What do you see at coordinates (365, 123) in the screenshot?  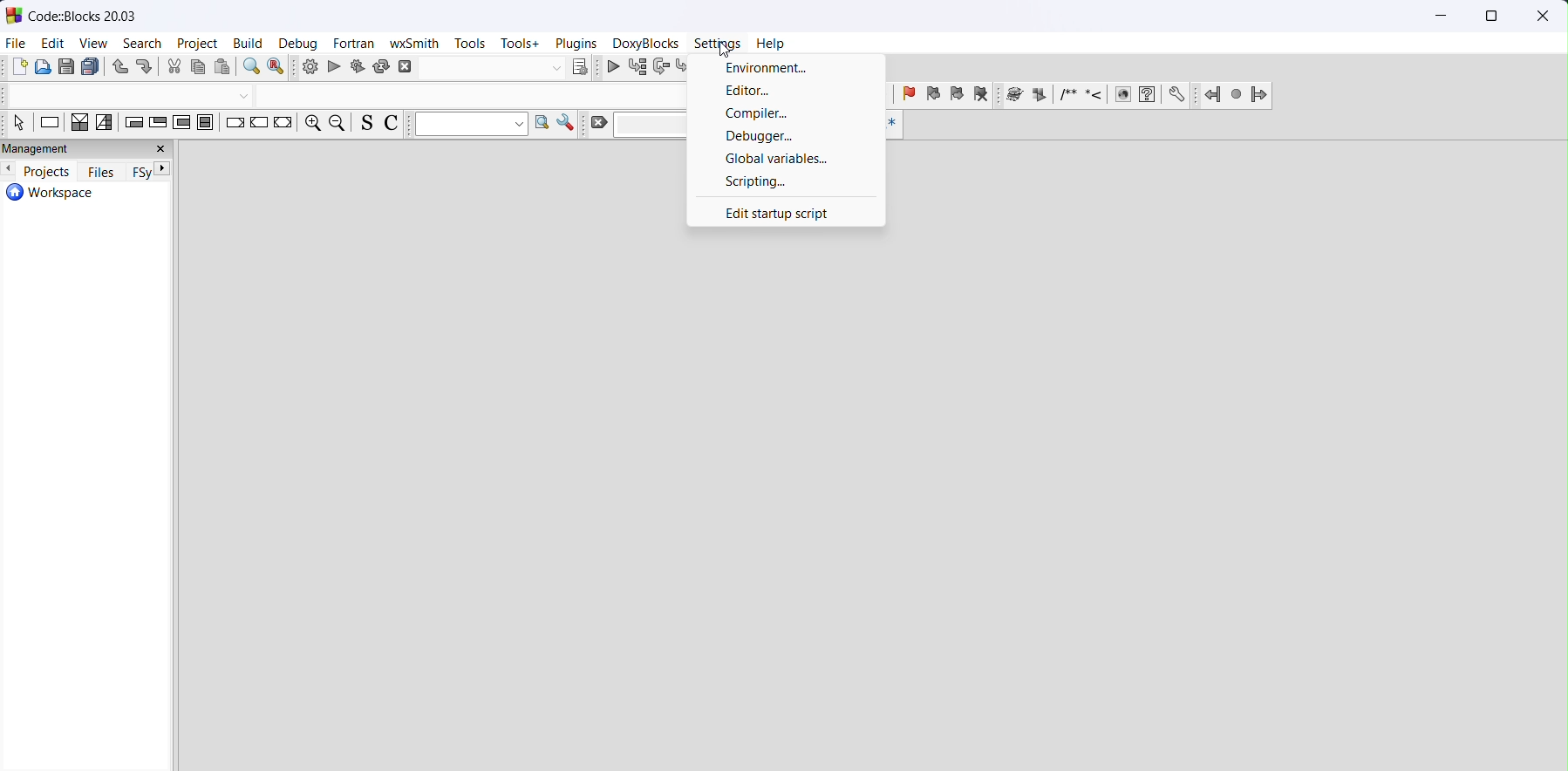 I see `toggle source` at bounding box center [365, 123].